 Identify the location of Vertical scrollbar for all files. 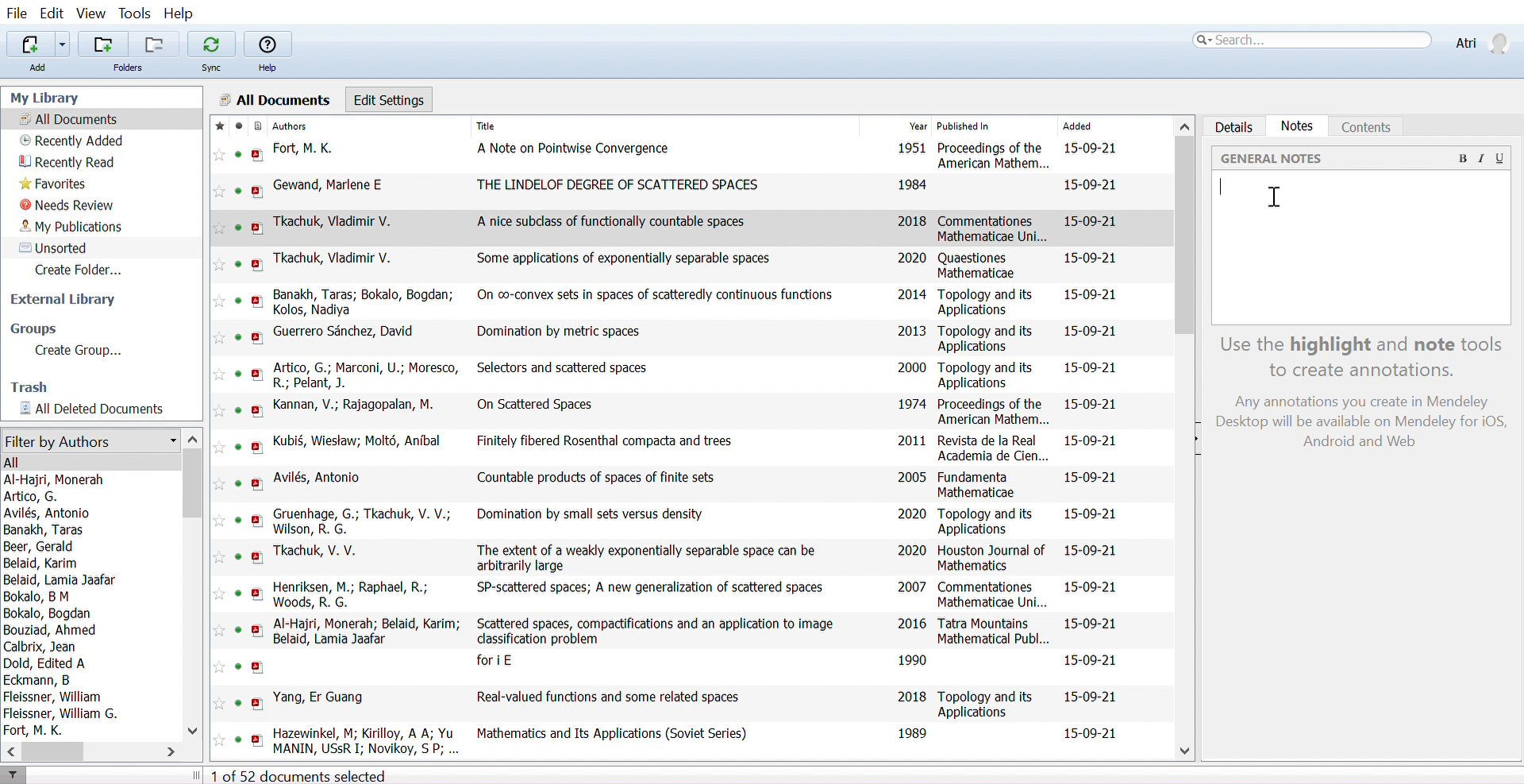
(1183, 233).